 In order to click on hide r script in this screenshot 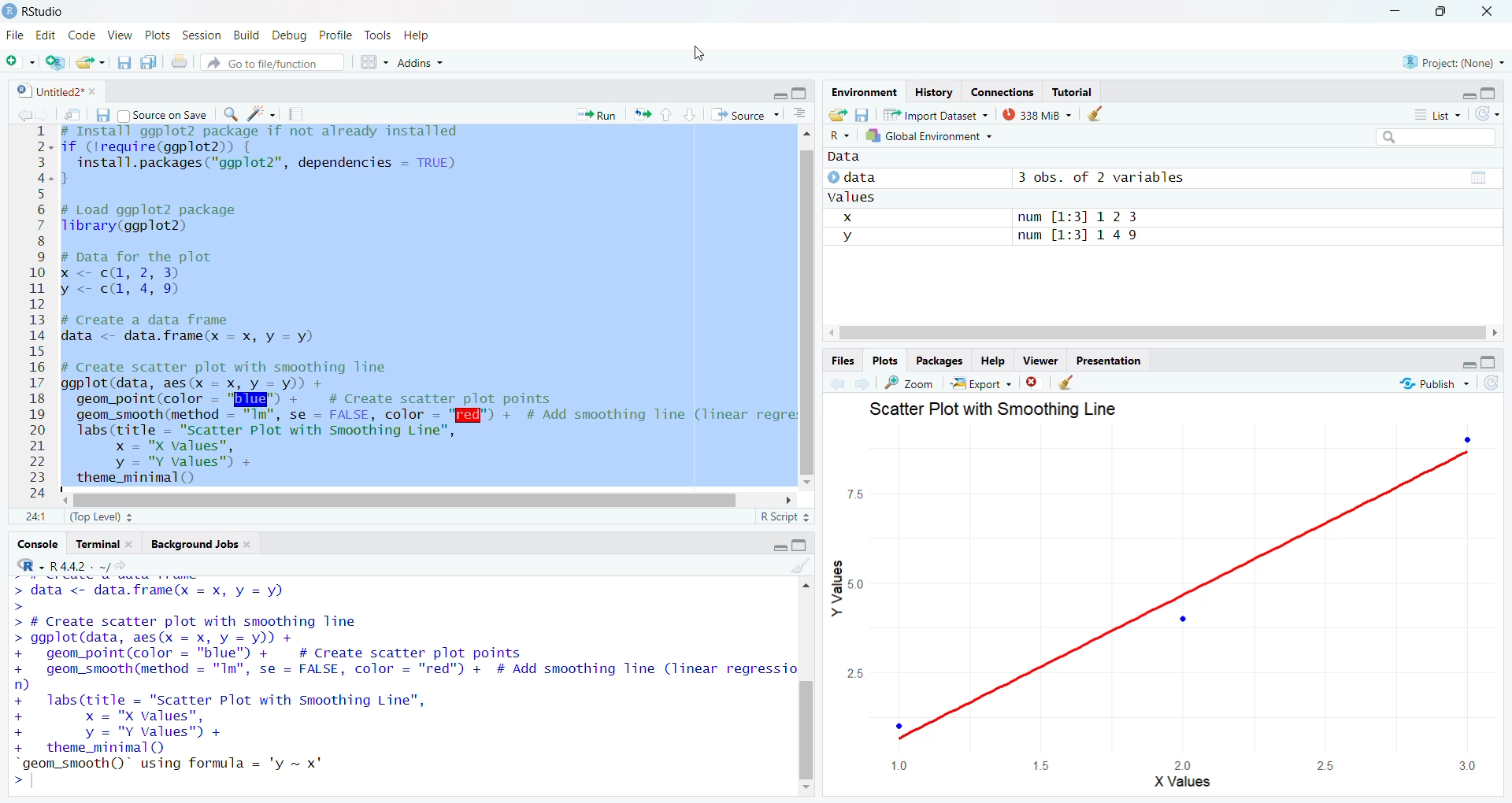, I will do `click(776, 96)`.